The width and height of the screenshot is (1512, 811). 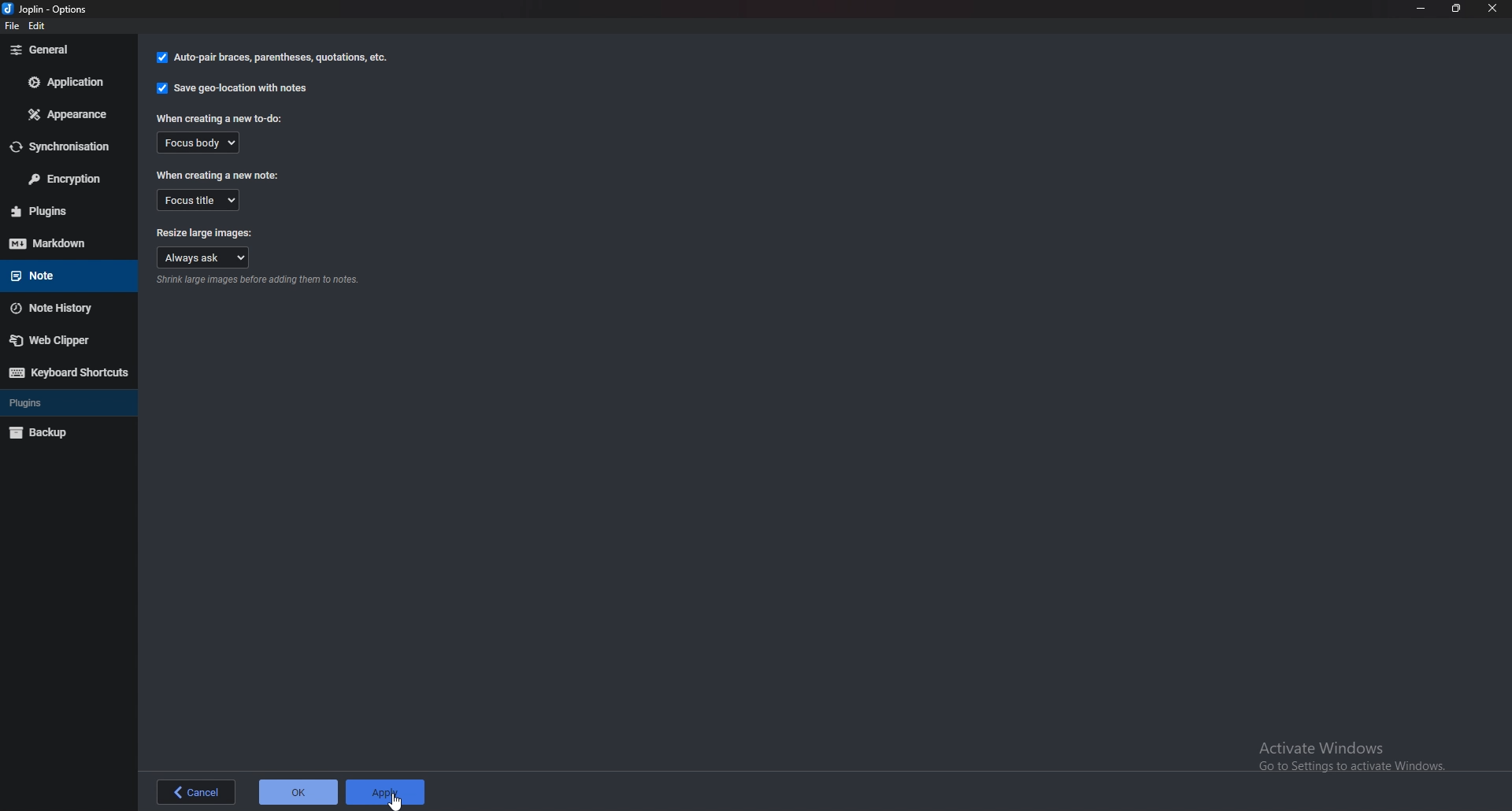 I want to click on General, so click(x=63, y=50).